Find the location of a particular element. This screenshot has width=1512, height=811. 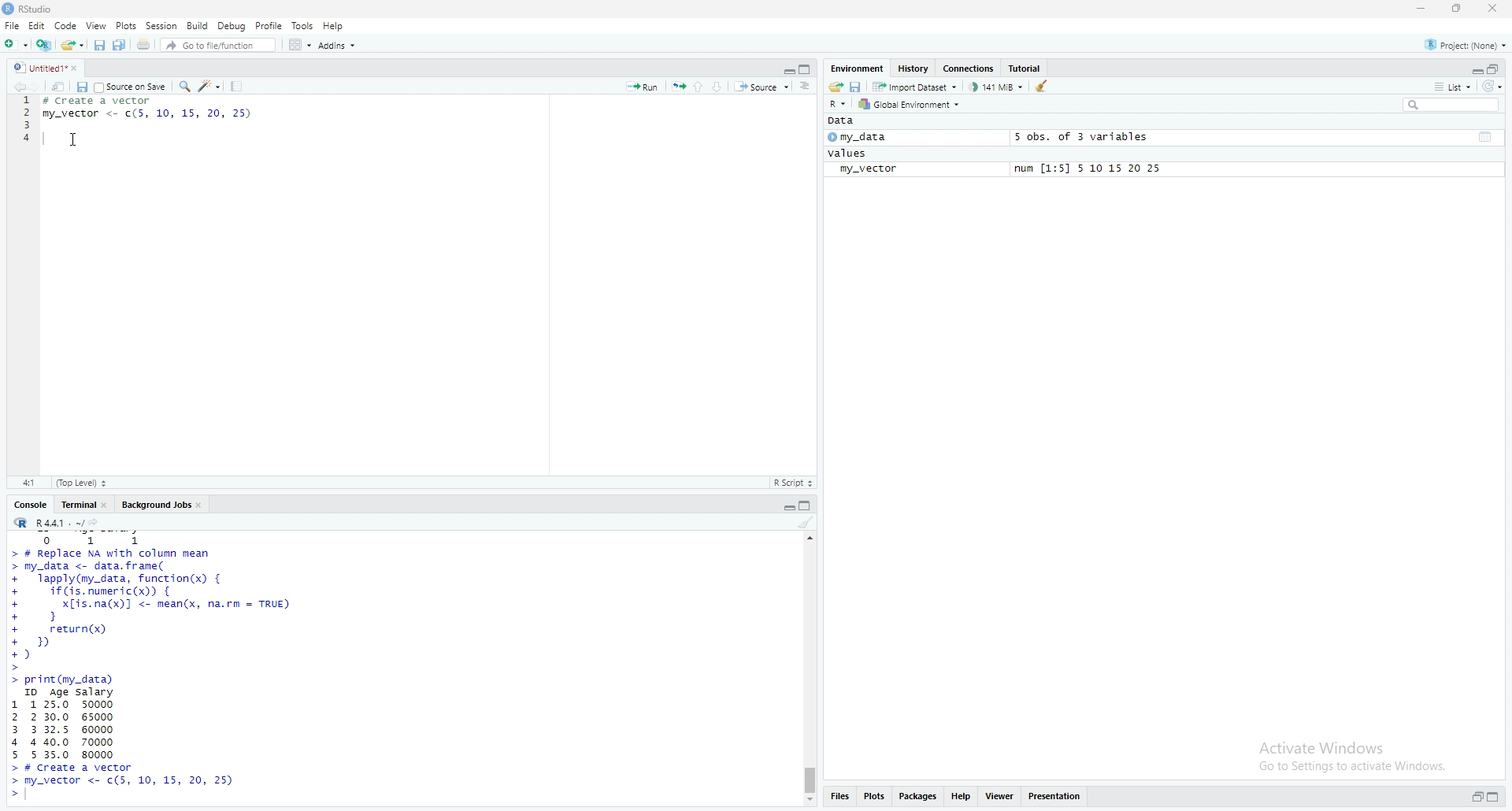

Addins is located at coordinates (338, 46).